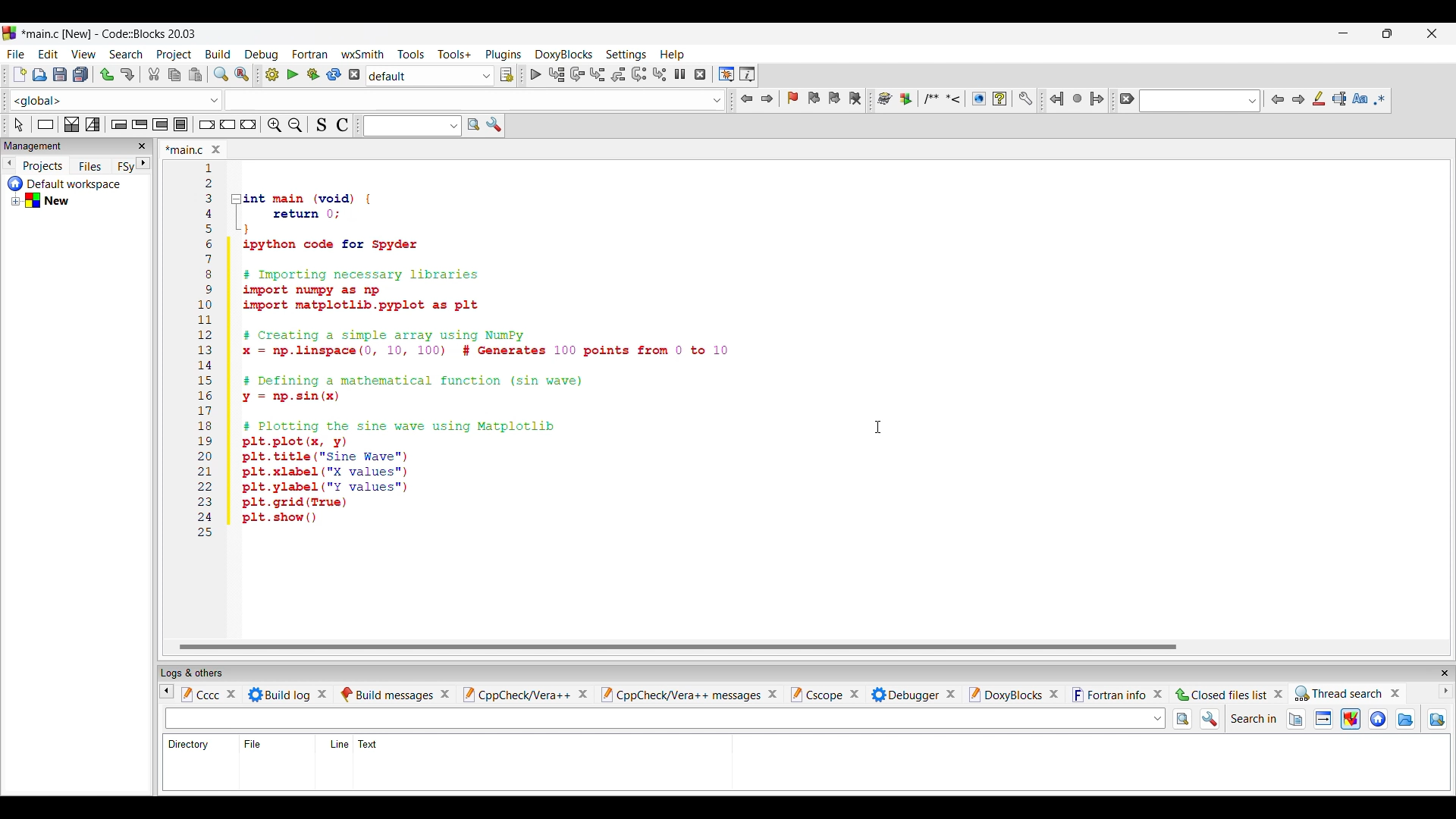  Describe the element at coordinates (71, 181) in the screenshot. I see `Default workspace` at that location.